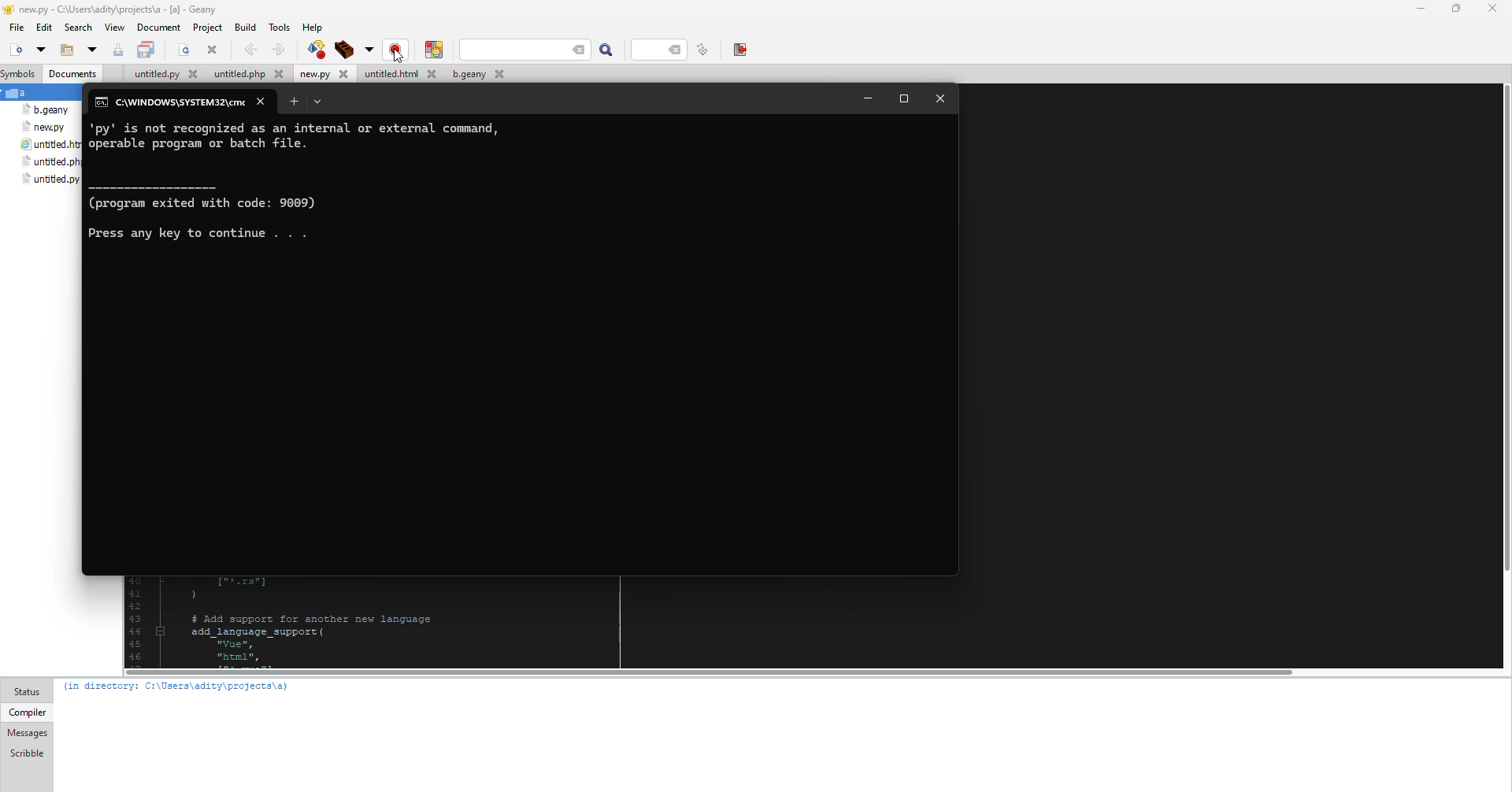  What do you see at coordinates (344, 49) in the screenshot?
I see `build` at bounding box center [344, 49].